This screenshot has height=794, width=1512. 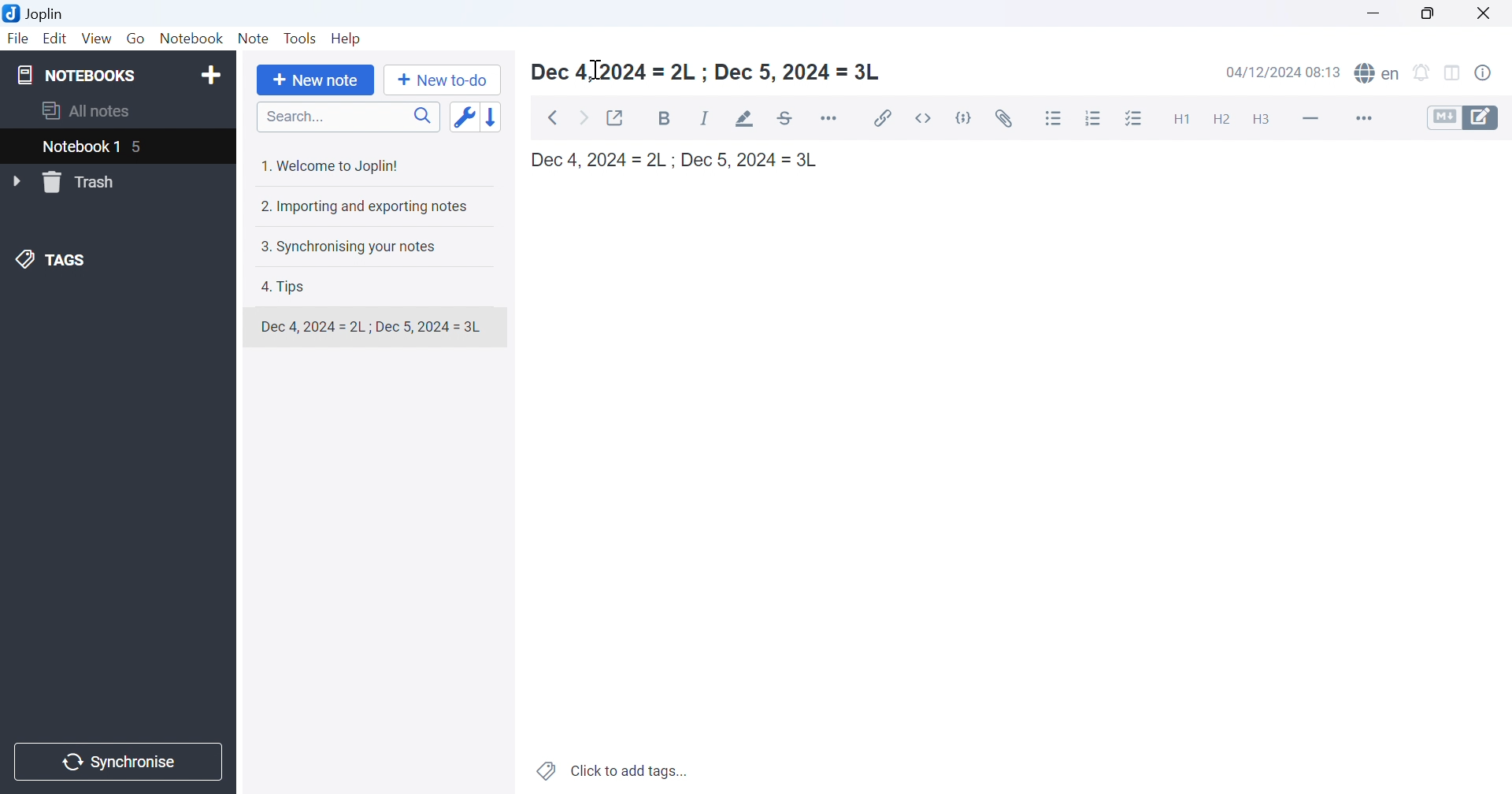 I want to click on Italic, so click(x=706, y=118).